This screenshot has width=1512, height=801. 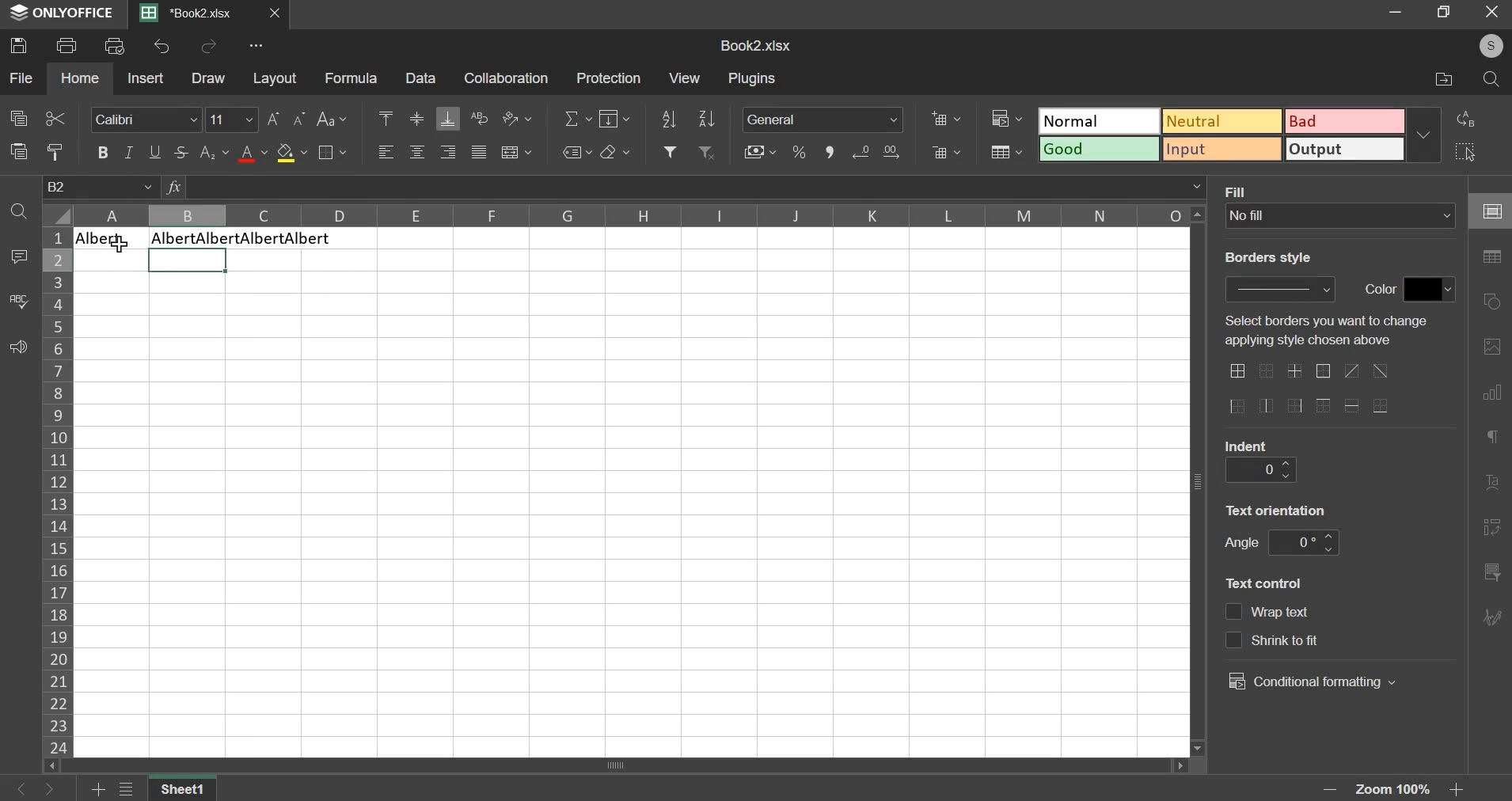 I want to click on vertical alignment, so click(x=418, y=120).